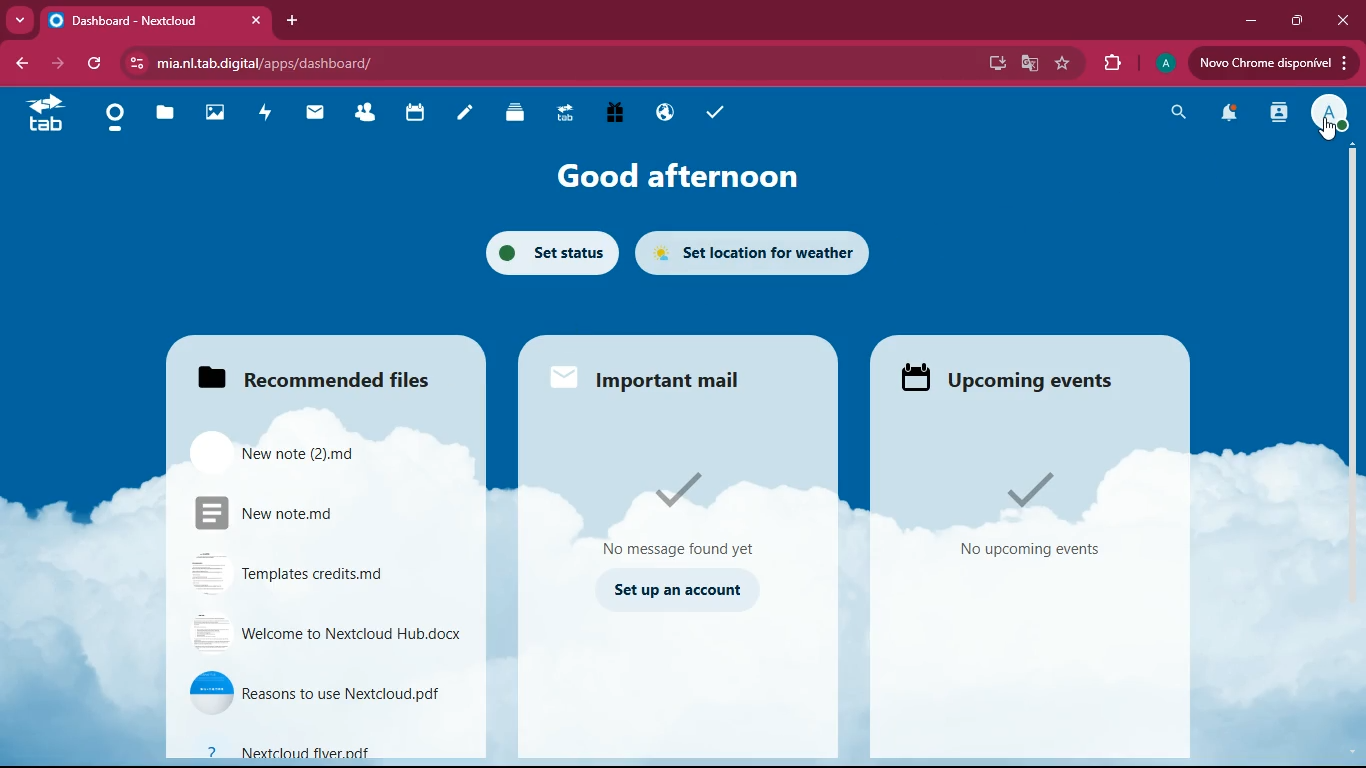  Describe the element at coordinates (21, 65) in the screenshot. I see `back` at that location.